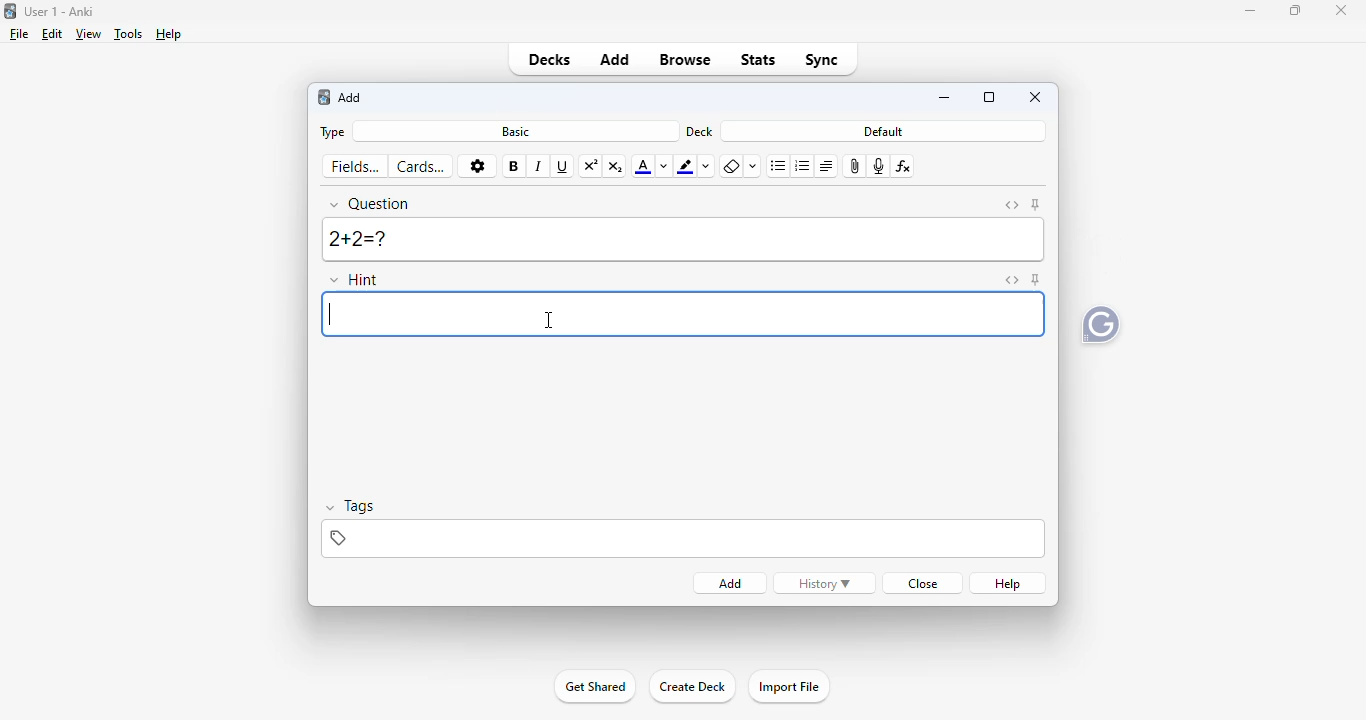  Describe the element at coordinates (989, 96) in the screenshot. I see `maximize` at that location.